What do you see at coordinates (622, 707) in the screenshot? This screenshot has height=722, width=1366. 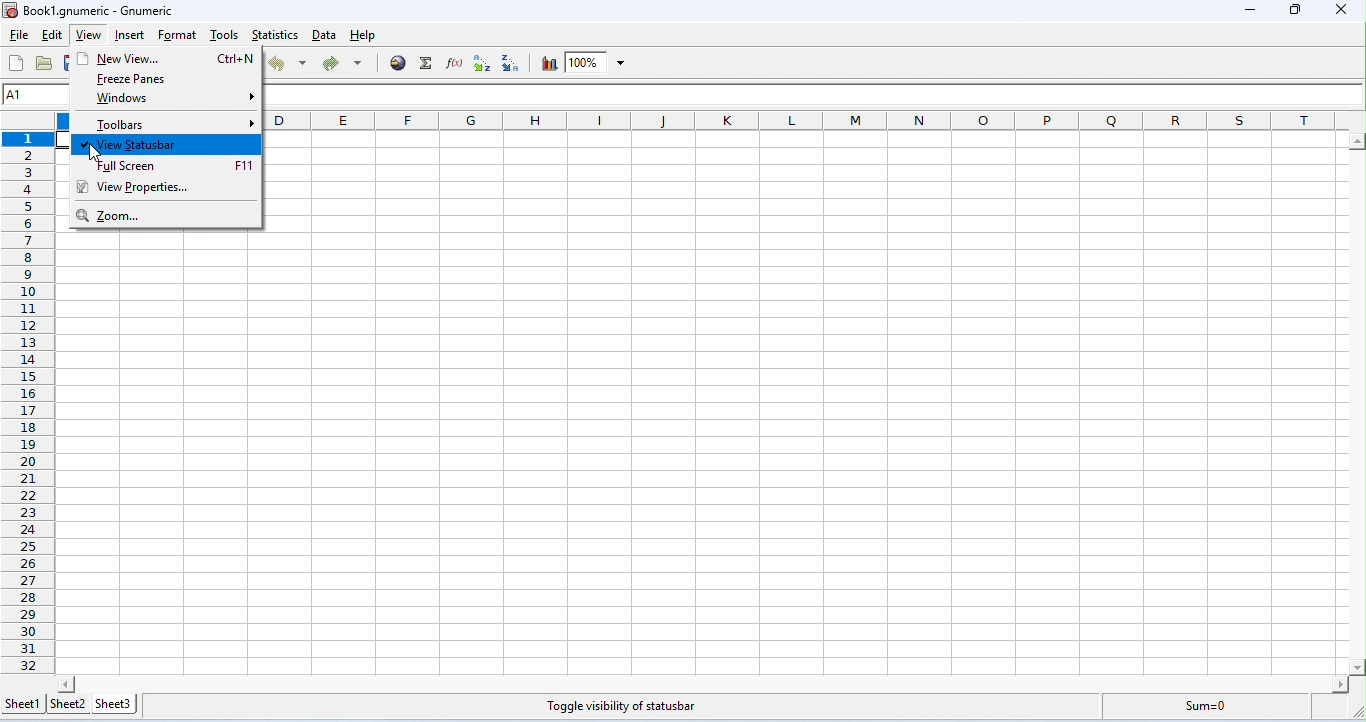 I see `toggle visibility of status bar` at bounding box center [622, 707].